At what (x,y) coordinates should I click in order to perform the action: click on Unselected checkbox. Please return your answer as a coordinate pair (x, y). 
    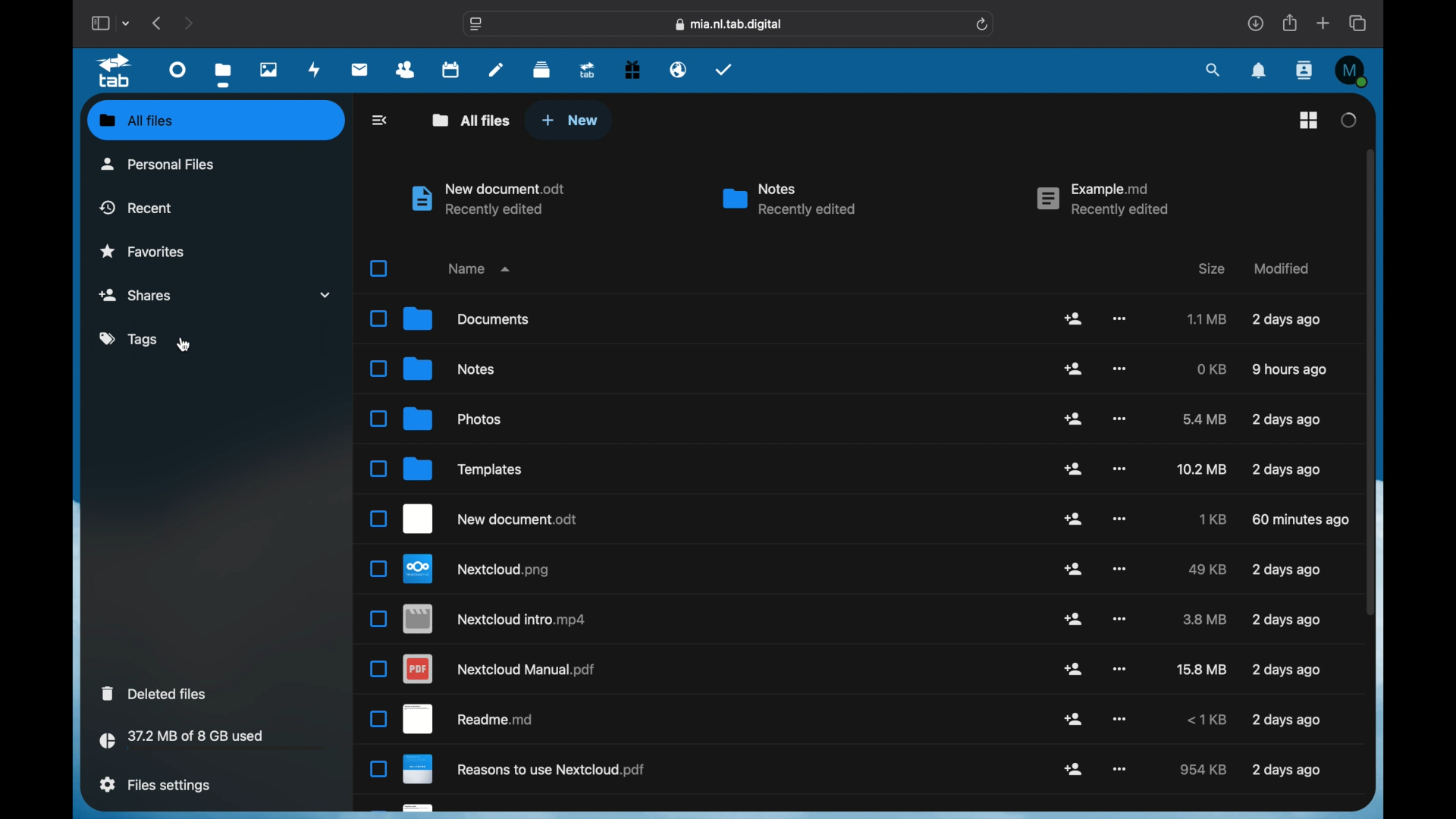
    Looking at the image, I should click on (378, 318).